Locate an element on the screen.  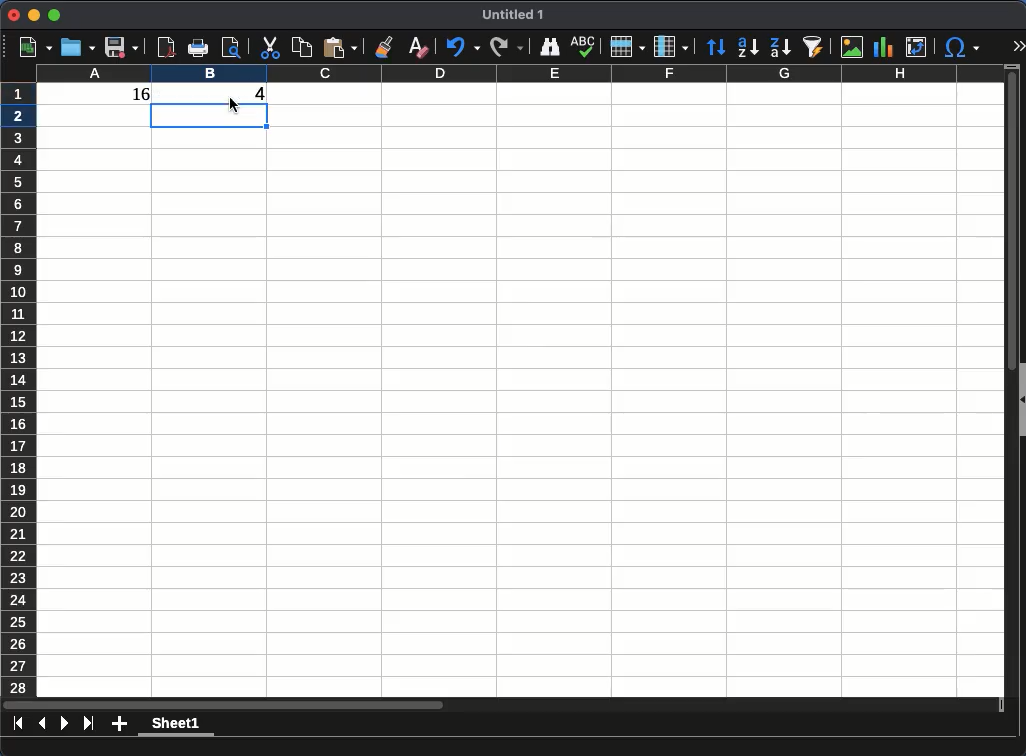
cut is located at coordinates (269, 48).